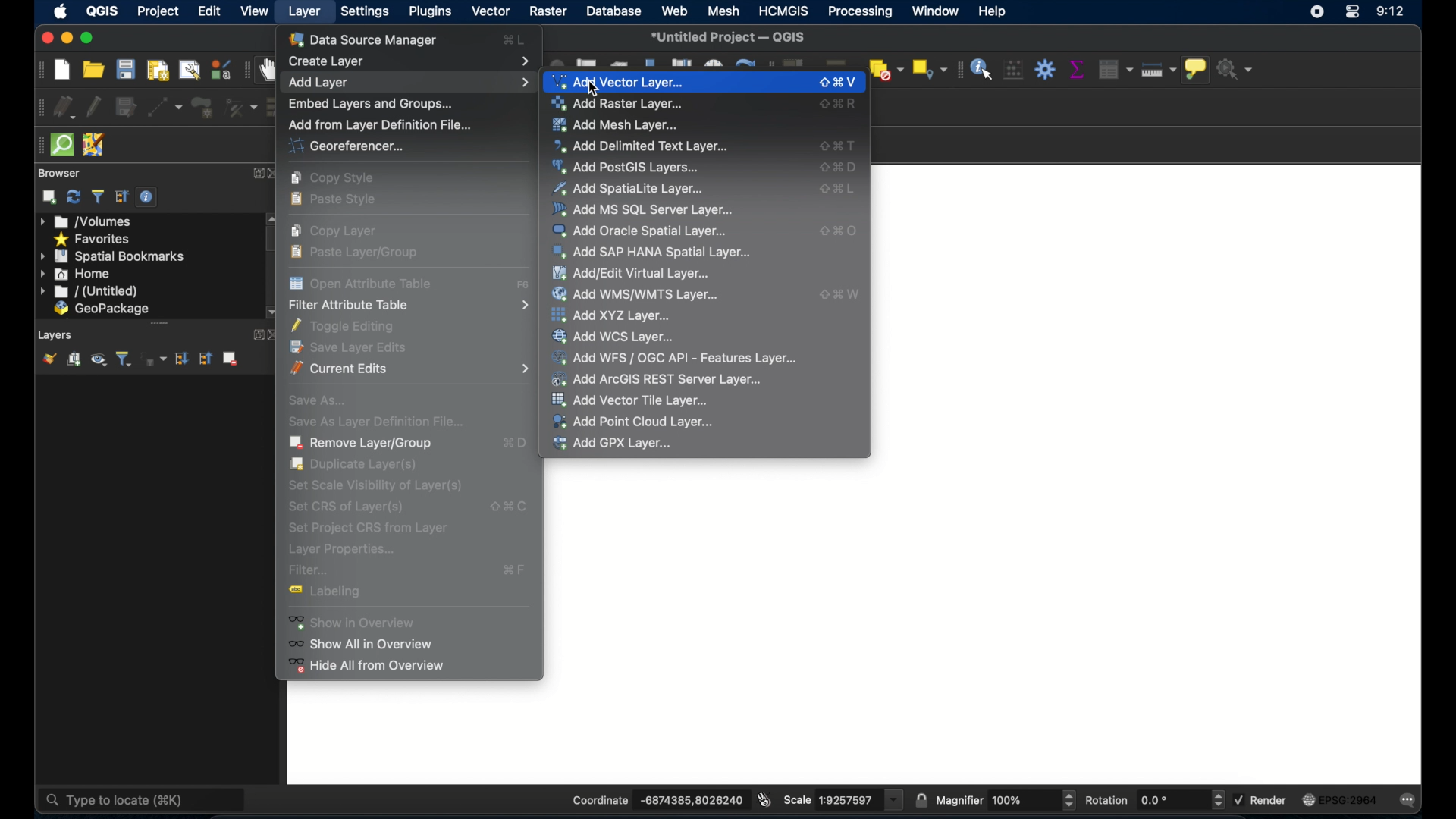 Image resolution: width=1456 pixels, height=819 pixels. I want to click on window, so click(935, 13).